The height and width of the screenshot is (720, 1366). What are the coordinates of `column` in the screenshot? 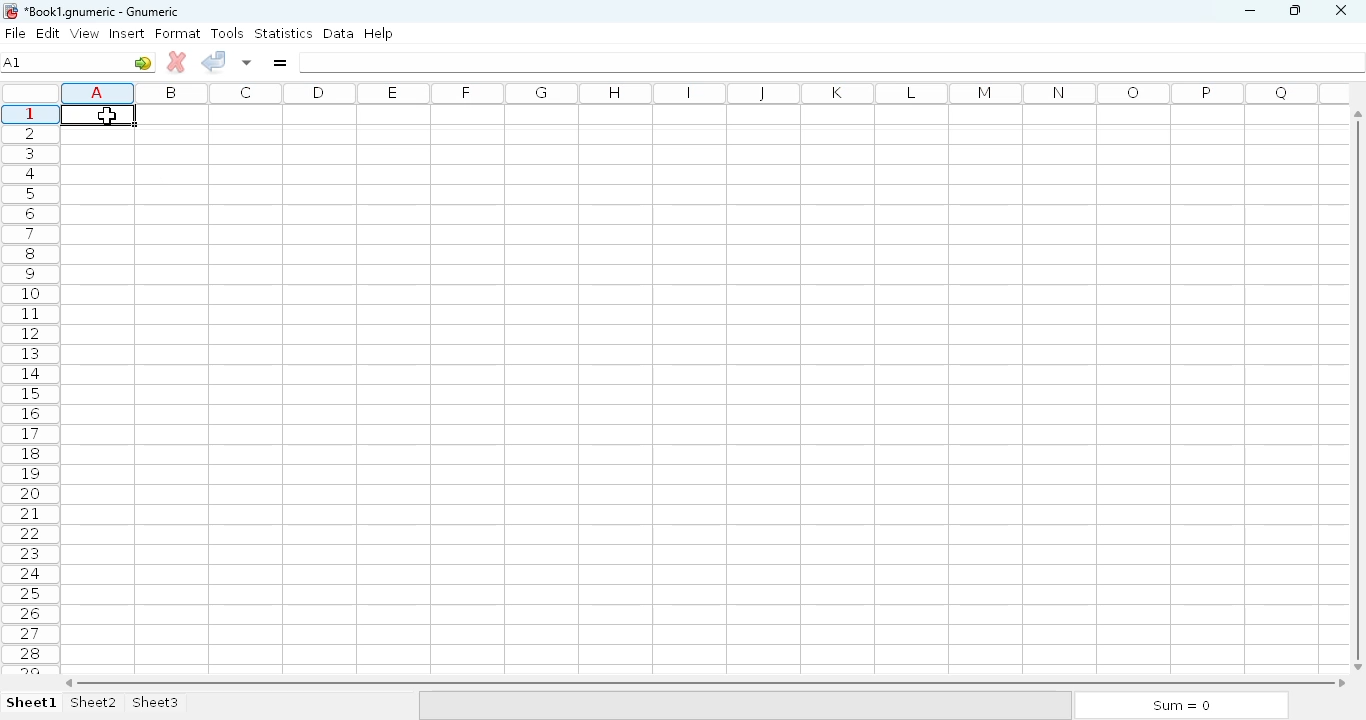 It's located at (699, 93).